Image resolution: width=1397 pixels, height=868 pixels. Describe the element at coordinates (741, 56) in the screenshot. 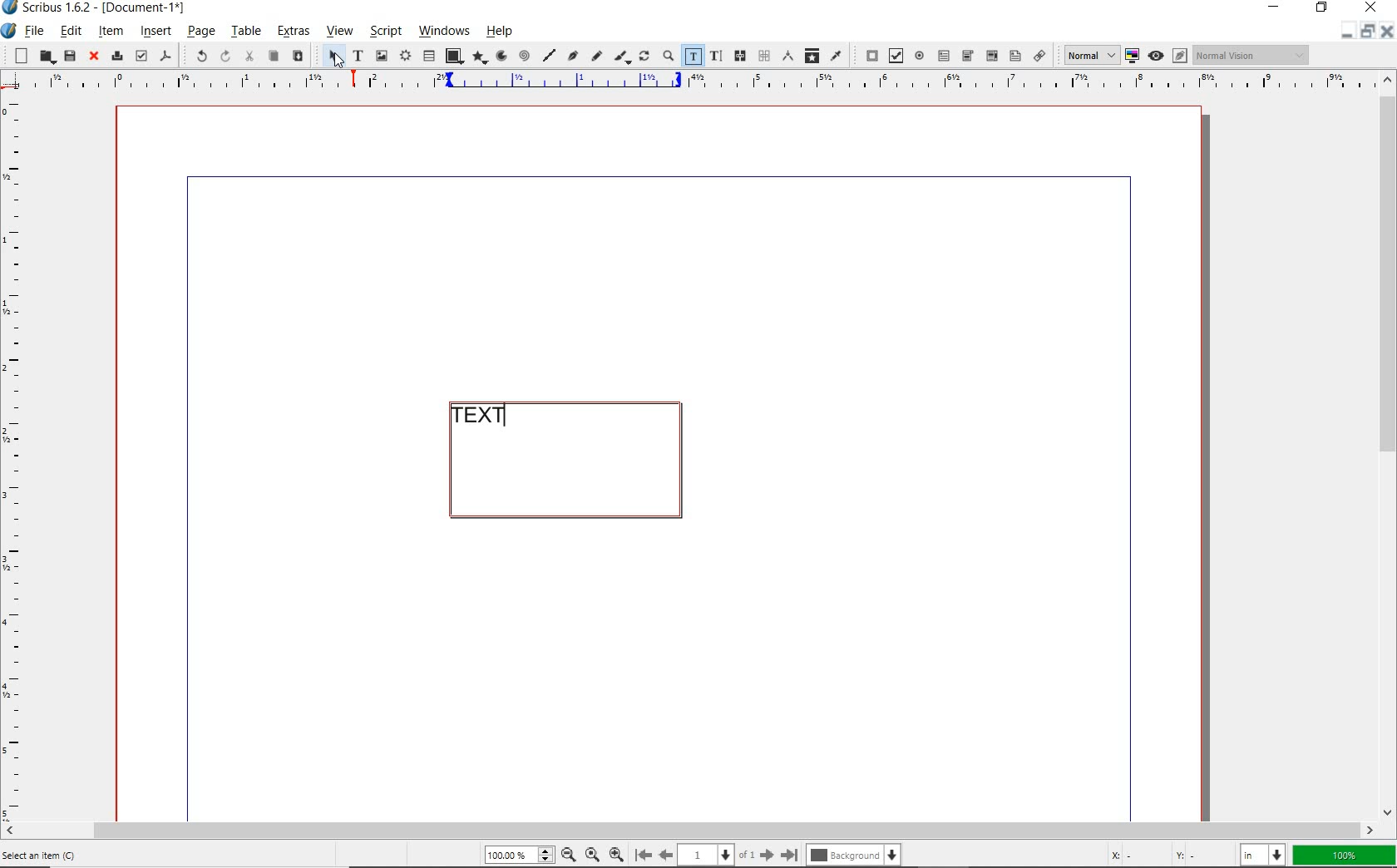

I see `link text frames` at that location.